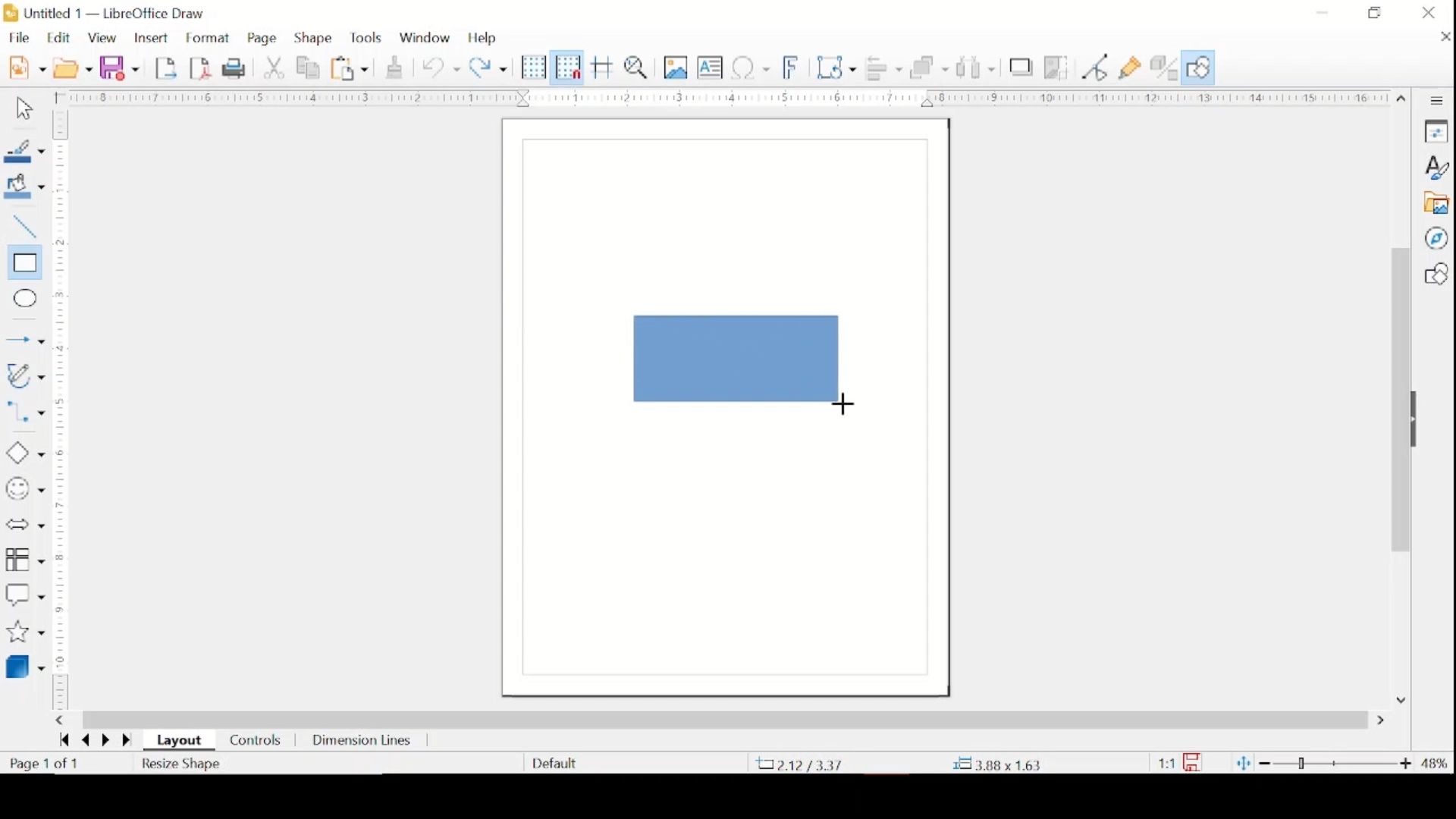  I want to click on tools, so click(366, 38).